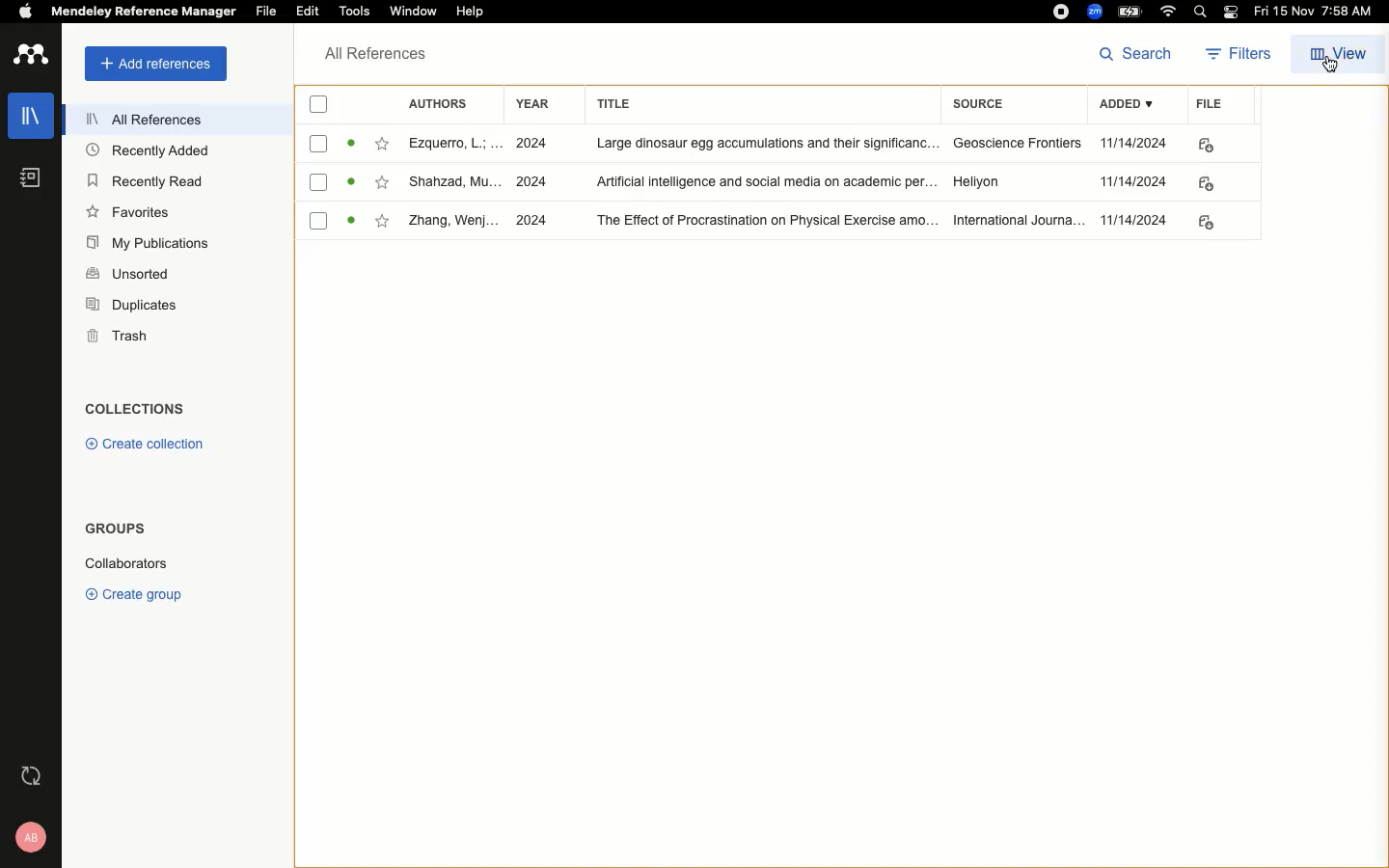 The height and width of the screenshot is (868, 1389). What do you see at coordinates (147, 152) in the screenshot?
I see `Recently added` at bounding box center [147, 152].